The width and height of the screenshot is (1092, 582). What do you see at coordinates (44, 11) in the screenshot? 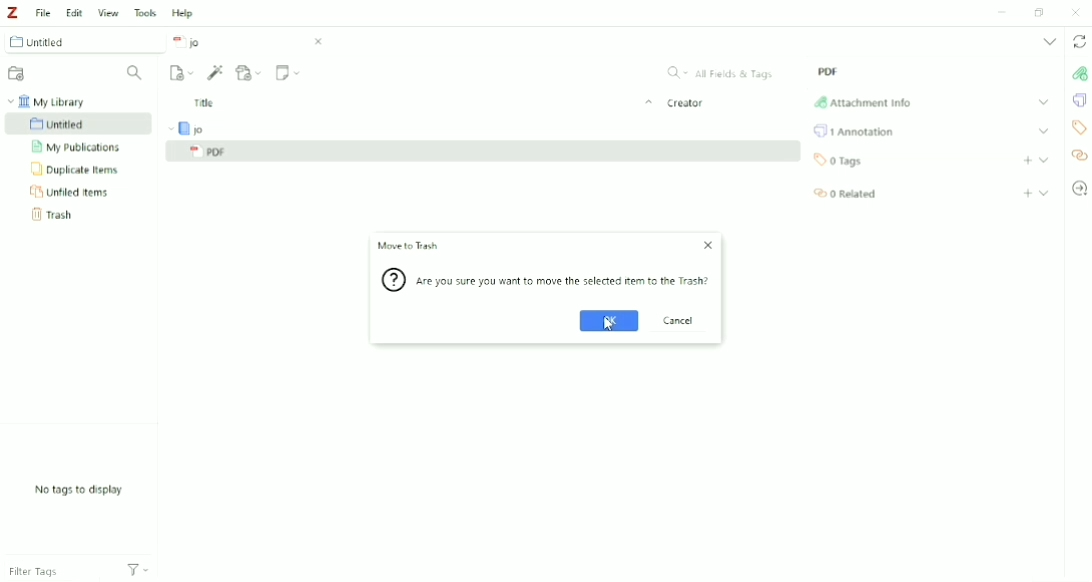
I see `File` at bounding box center [44, 11].